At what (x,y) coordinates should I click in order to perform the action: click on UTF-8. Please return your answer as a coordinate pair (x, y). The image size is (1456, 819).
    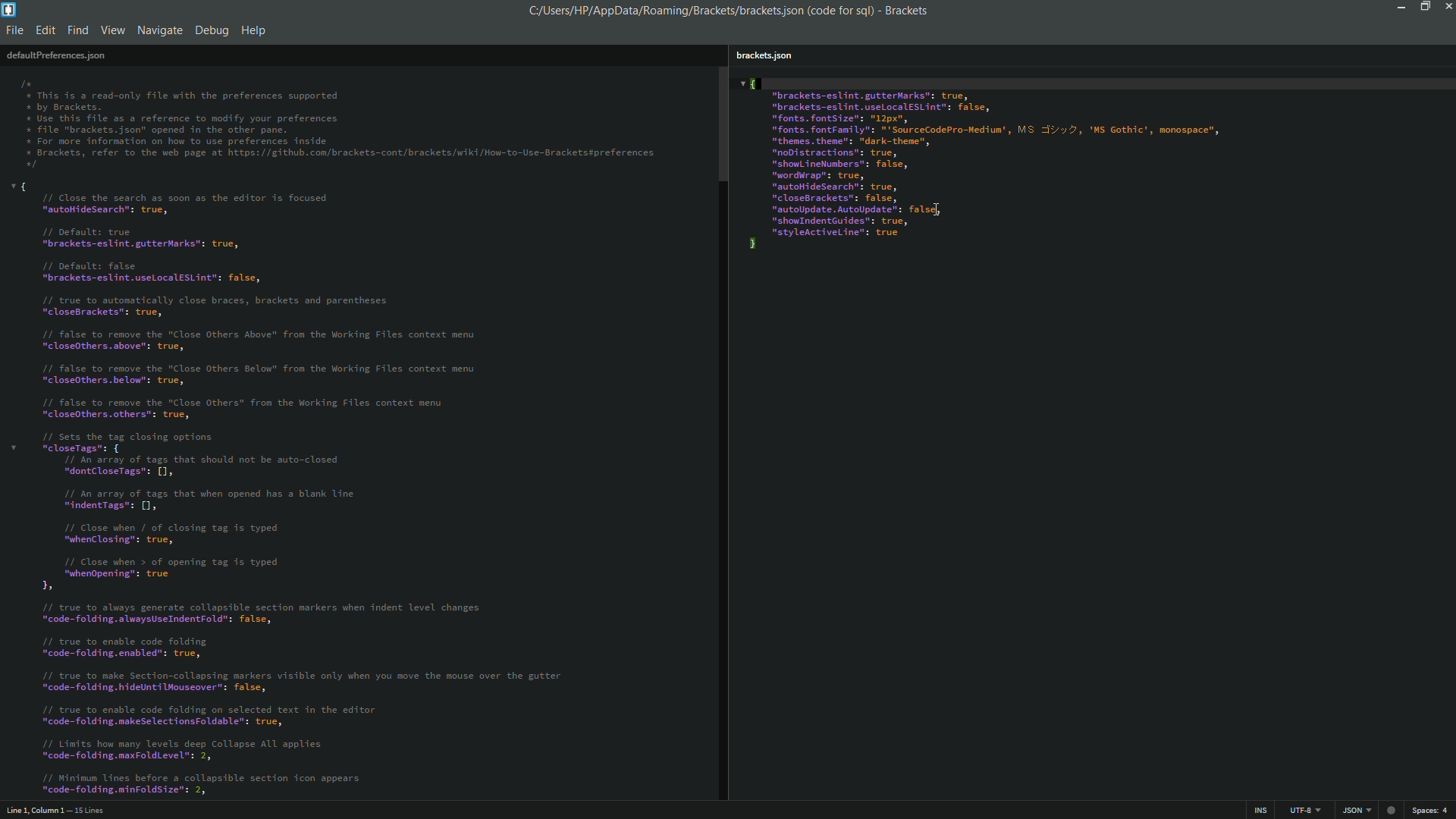
    Looking at the image, I should click on (1301, 809).